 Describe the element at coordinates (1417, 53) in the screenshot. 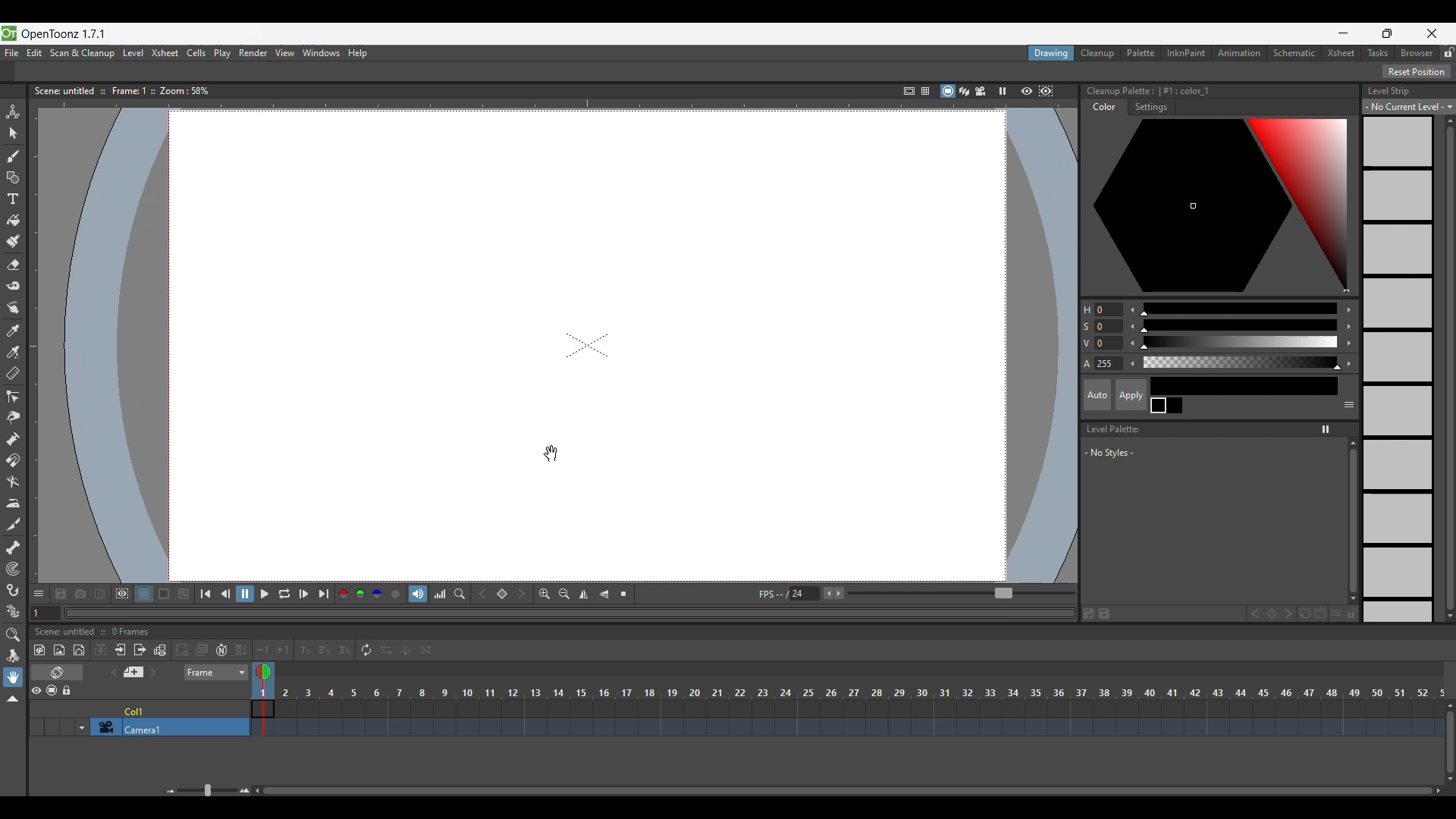

I see `Browser` at that location.